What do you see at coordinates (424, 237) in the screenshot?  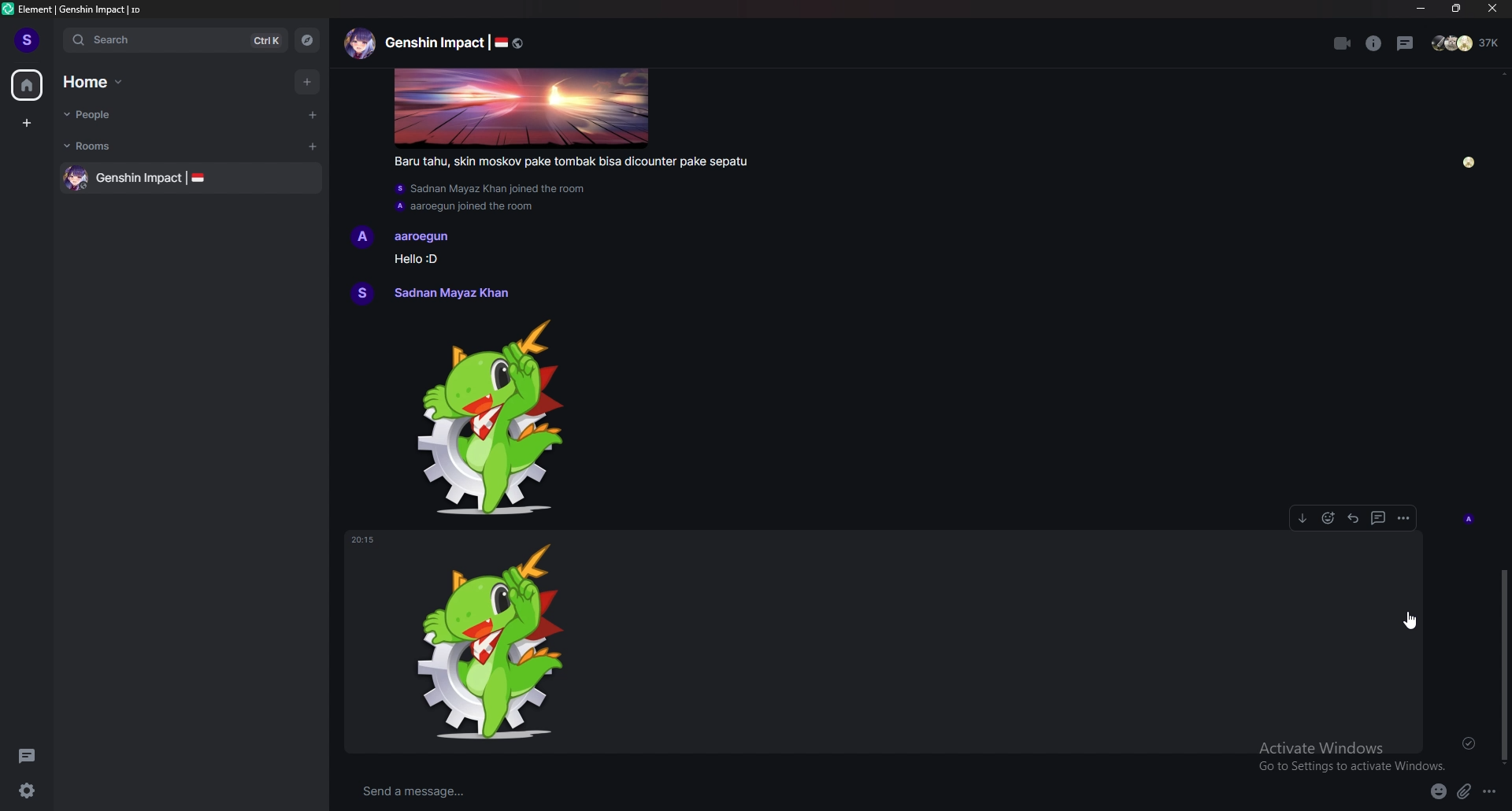 I see `aaroegun` at bounding box center [424, 237].